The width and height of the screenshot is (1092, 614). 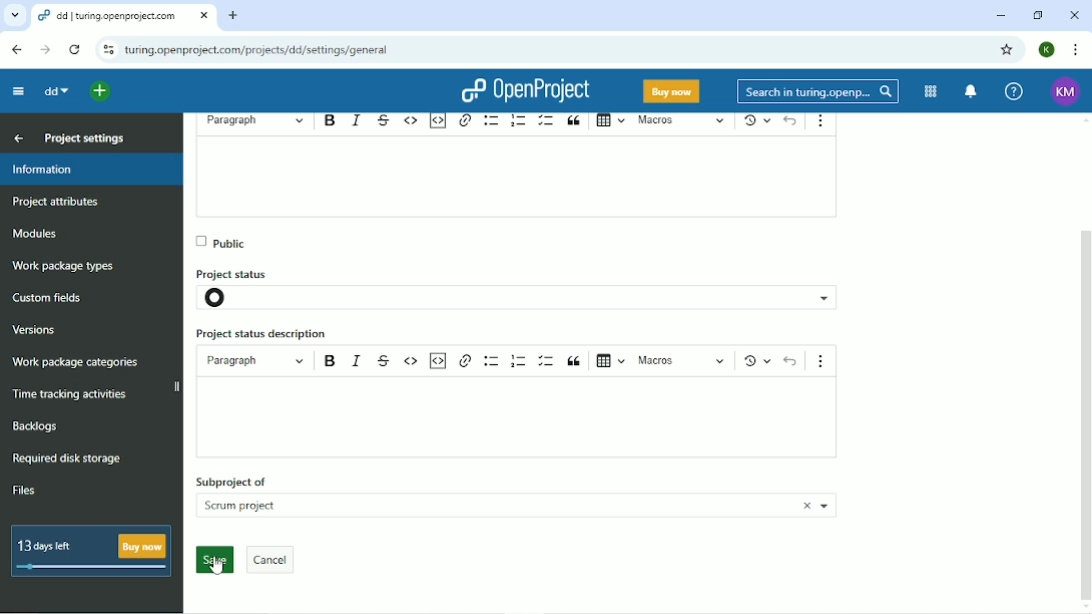 What do you see at coordinates (680, 121) in the screenshot?
I see `Macros` at bounding box center [680, 121].